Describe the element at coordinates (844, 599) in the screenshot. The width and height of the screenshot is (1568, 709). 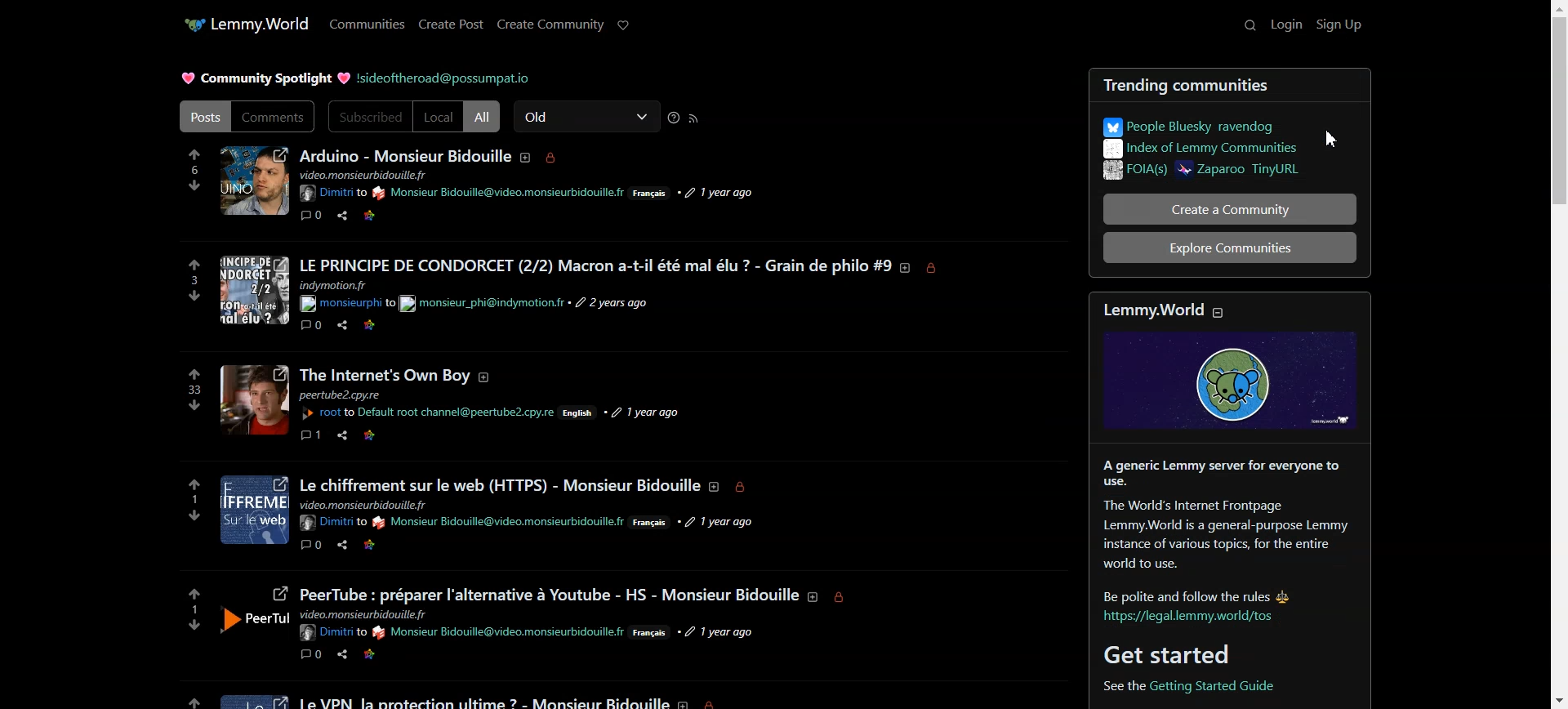
I see `locked` at that location.